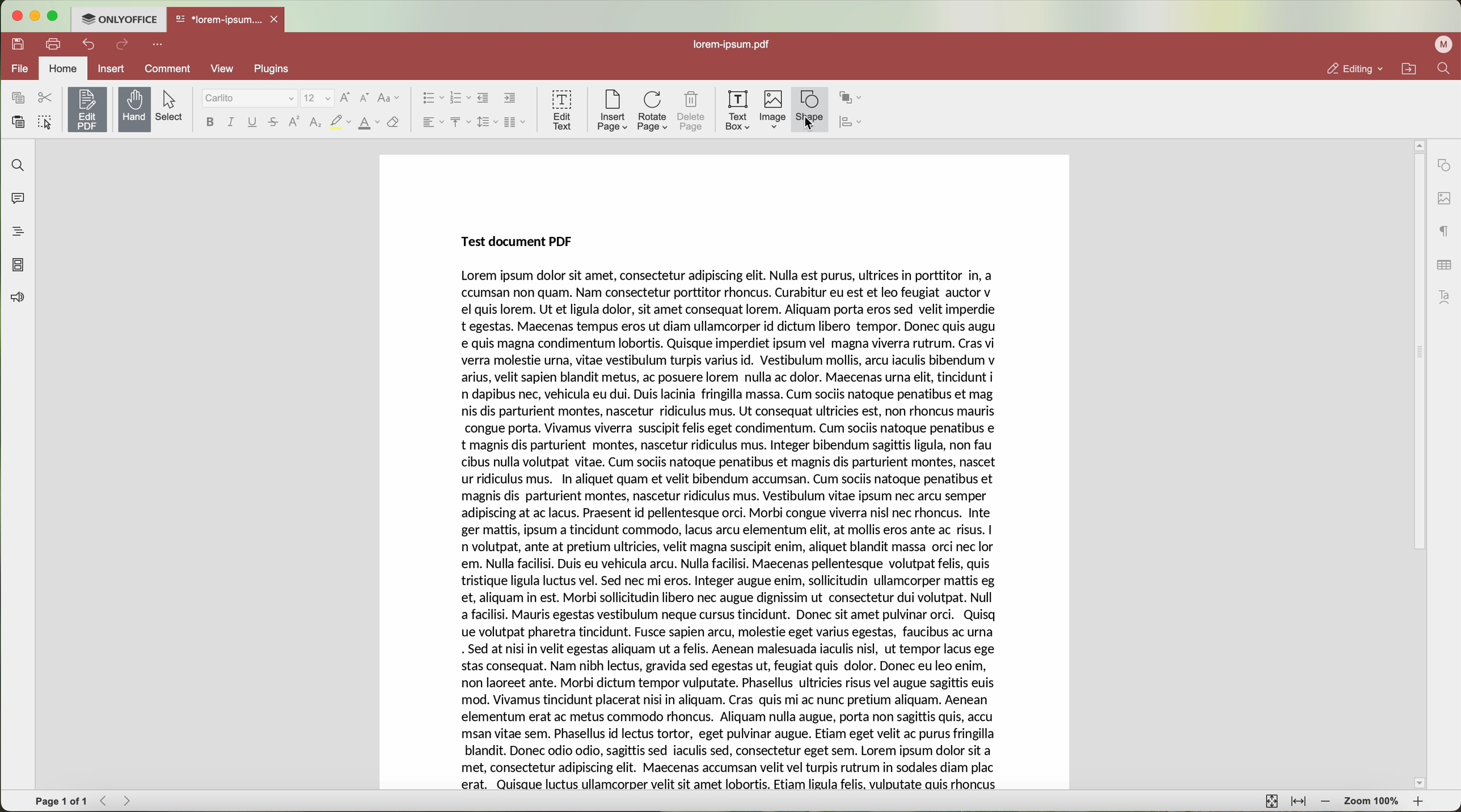 The width and height of the screenshot is (1461, 812). What do you see at coordinates (348, 96) in the screenshot?
I see `increment font size` at bounding box center [348, 96].